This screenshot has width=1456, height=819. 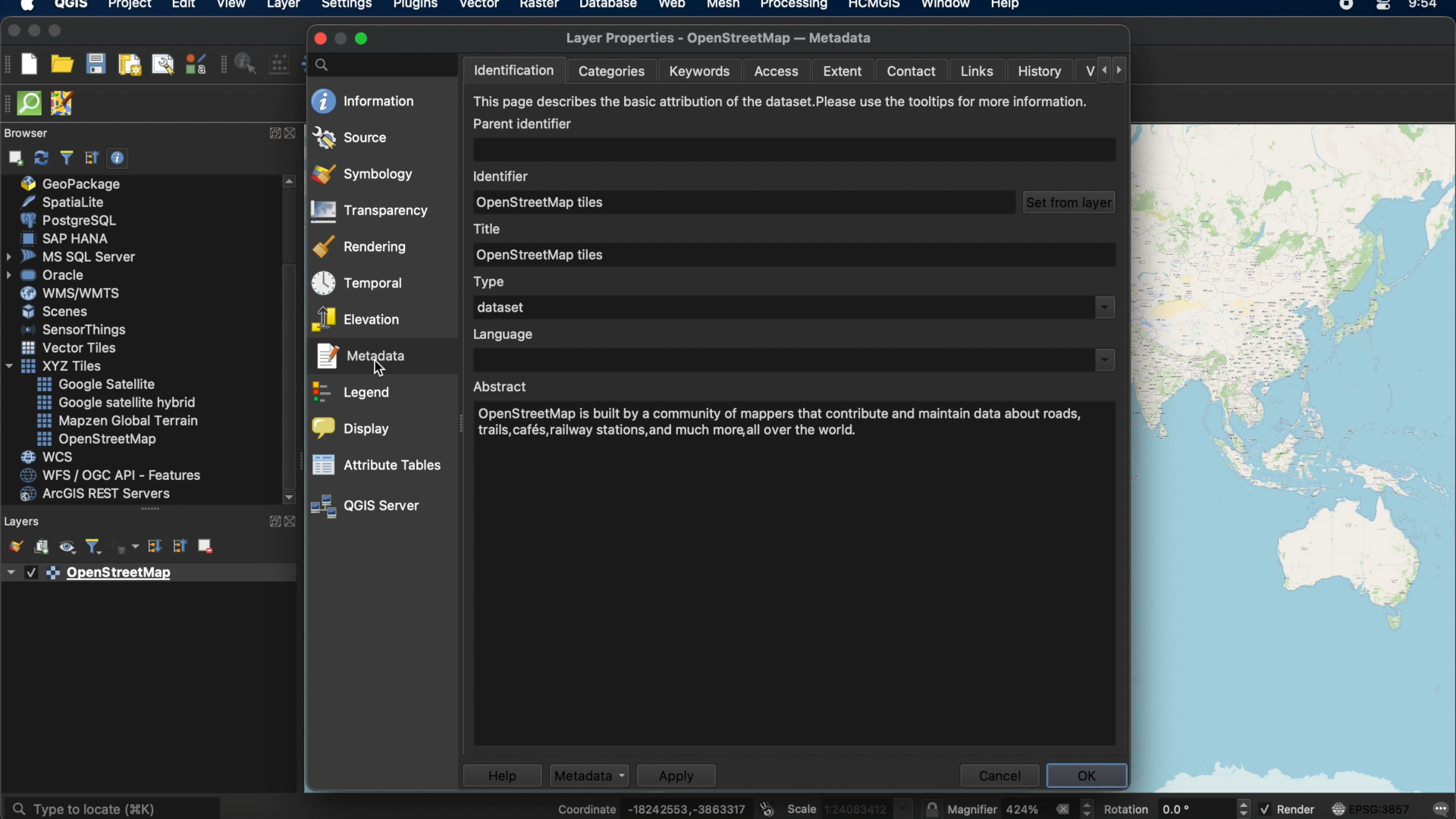 I want to click on remove layer group, so click(x=207, y=547).